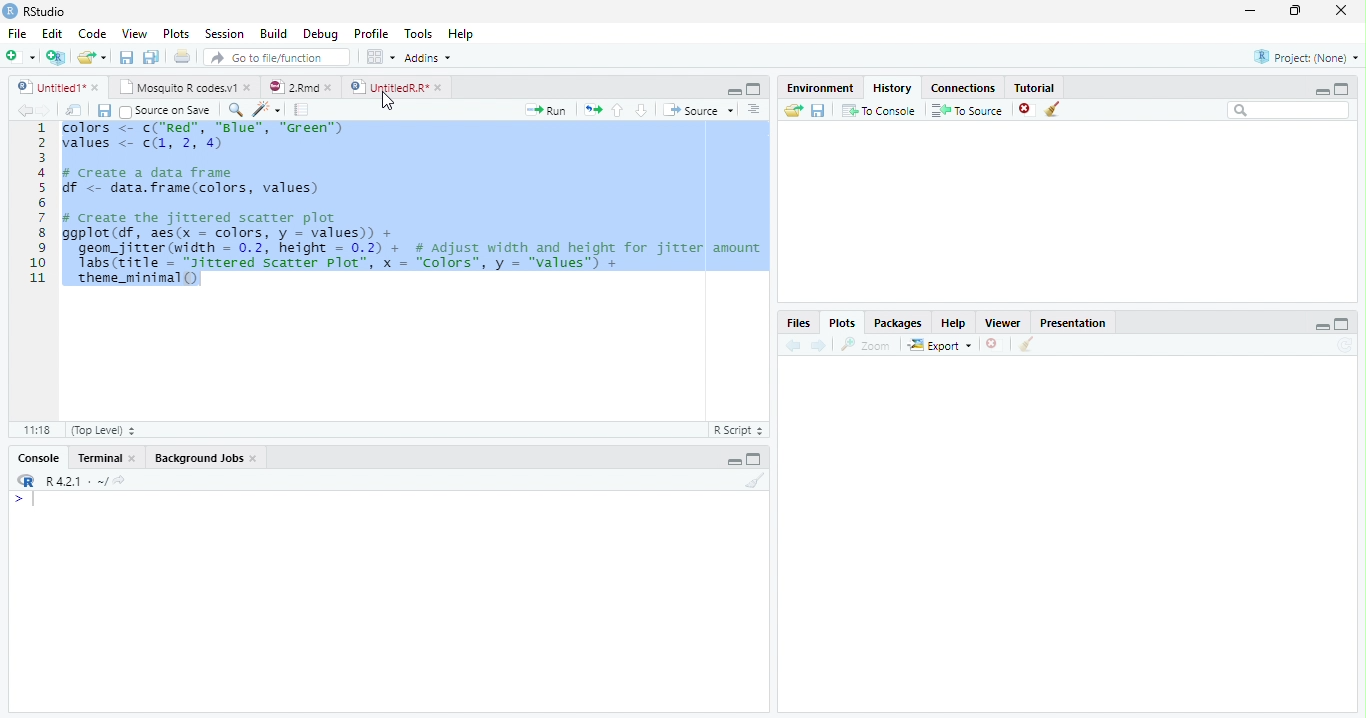 This screenshot has width=1366, height=718. Describe the element at coordinates (842, 323) in the screenshot. I see `Plots` at that location.